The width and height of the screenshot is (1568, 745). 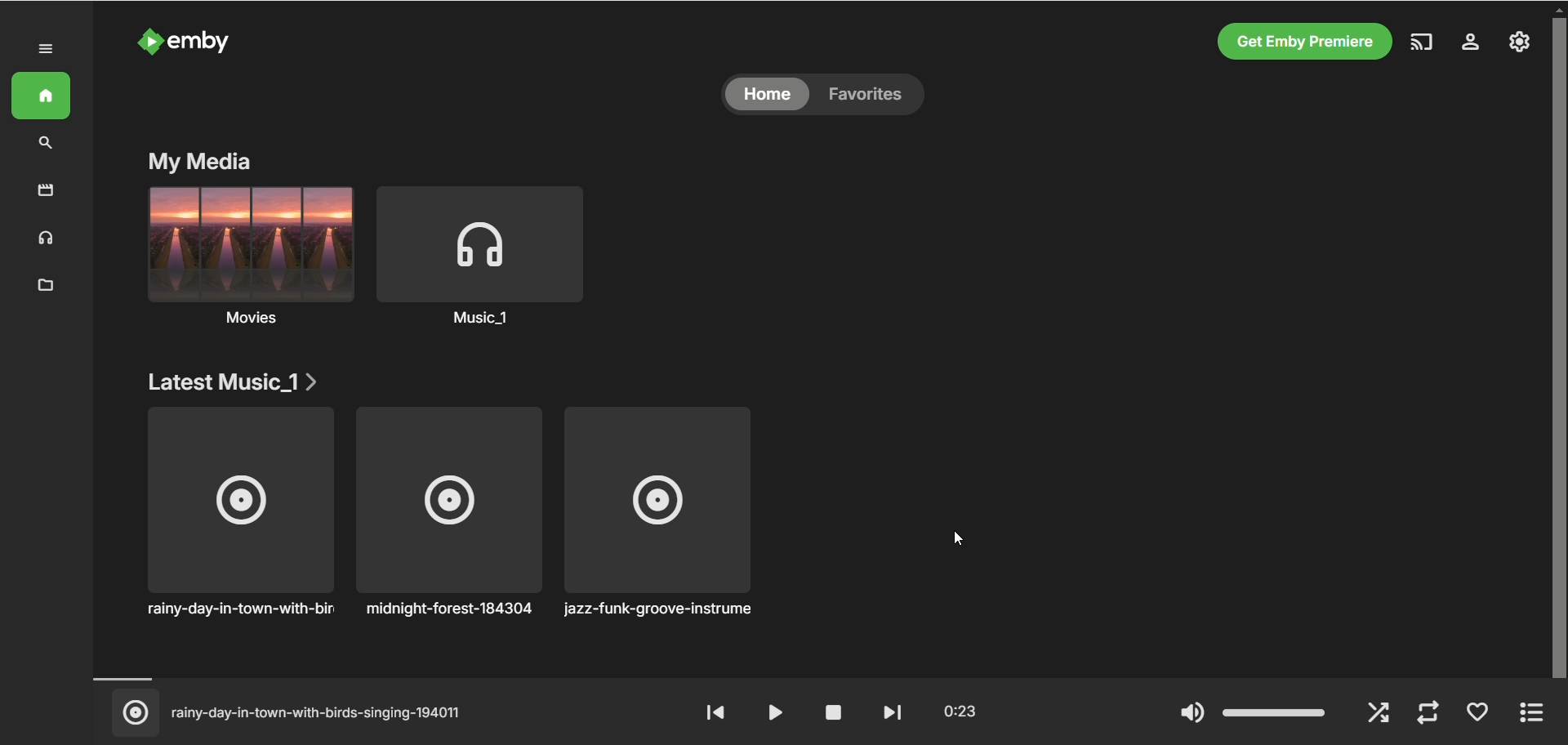 I want to click on logo, so click(x=145, y=42).